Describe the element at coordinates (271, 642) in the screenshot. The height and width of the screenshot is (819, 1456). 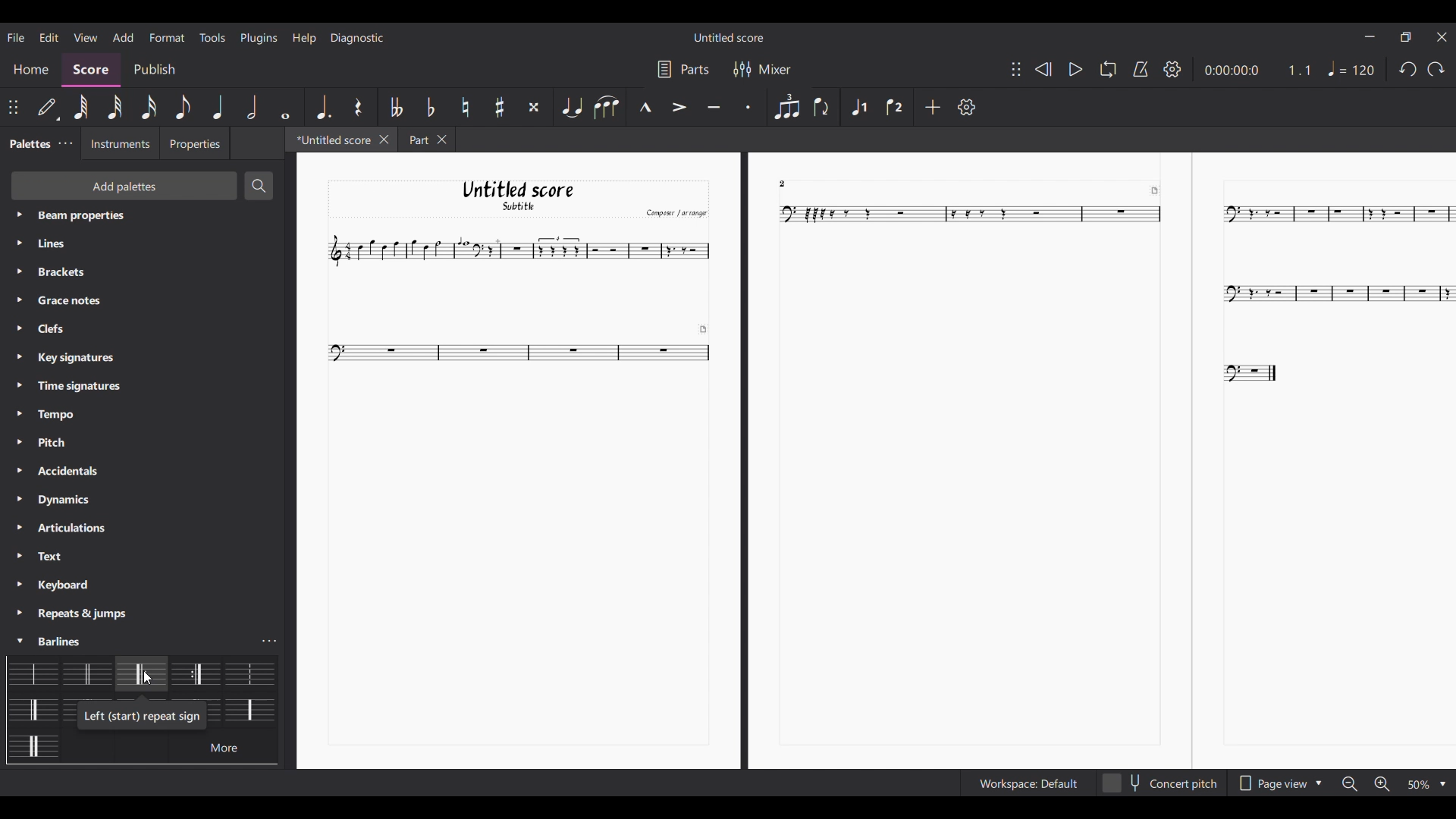
I see `Barline settings` at that location.